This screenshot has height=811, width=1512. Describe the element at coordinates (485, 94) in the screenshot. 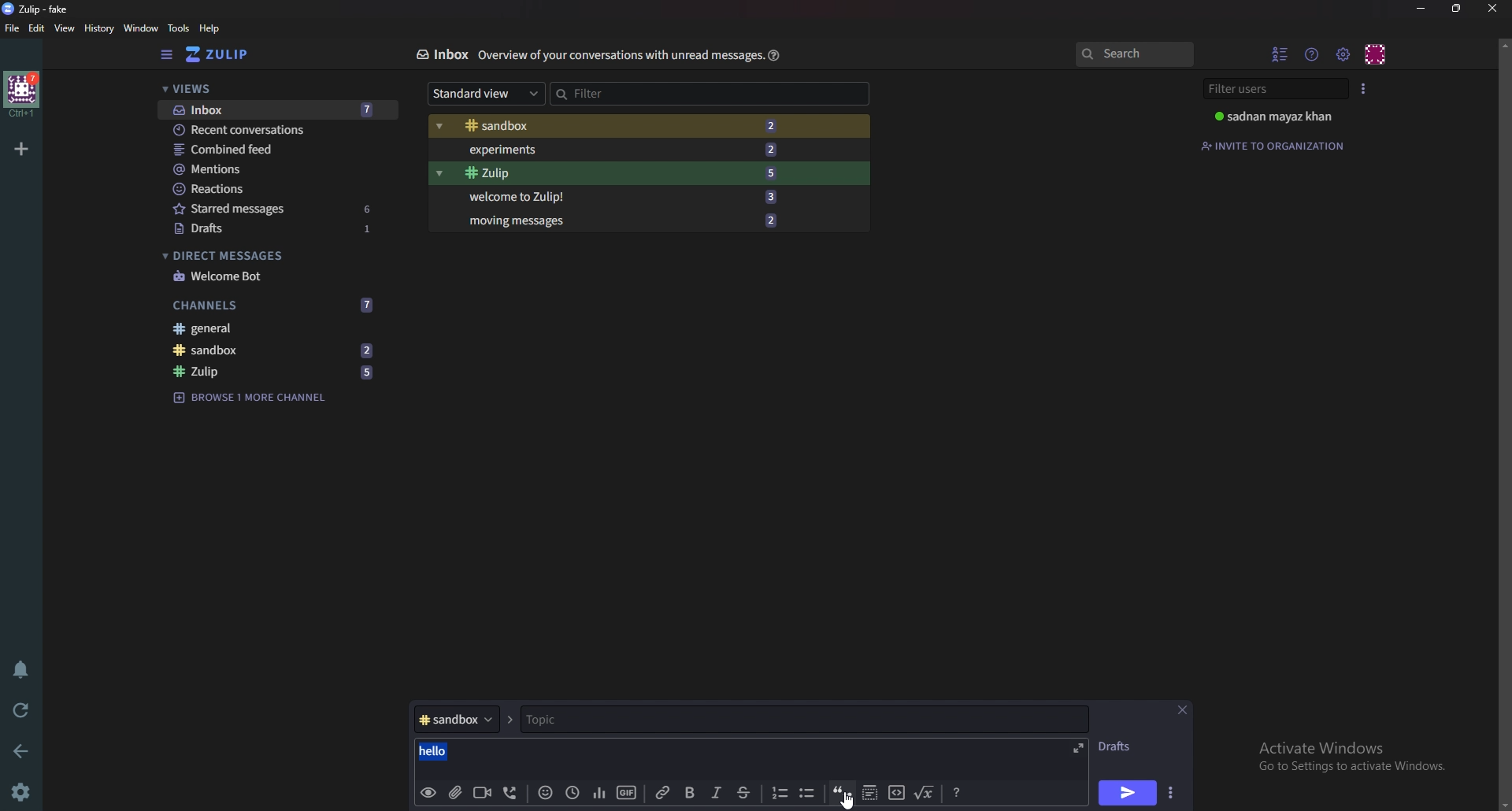

I see `Standard view` at that location.